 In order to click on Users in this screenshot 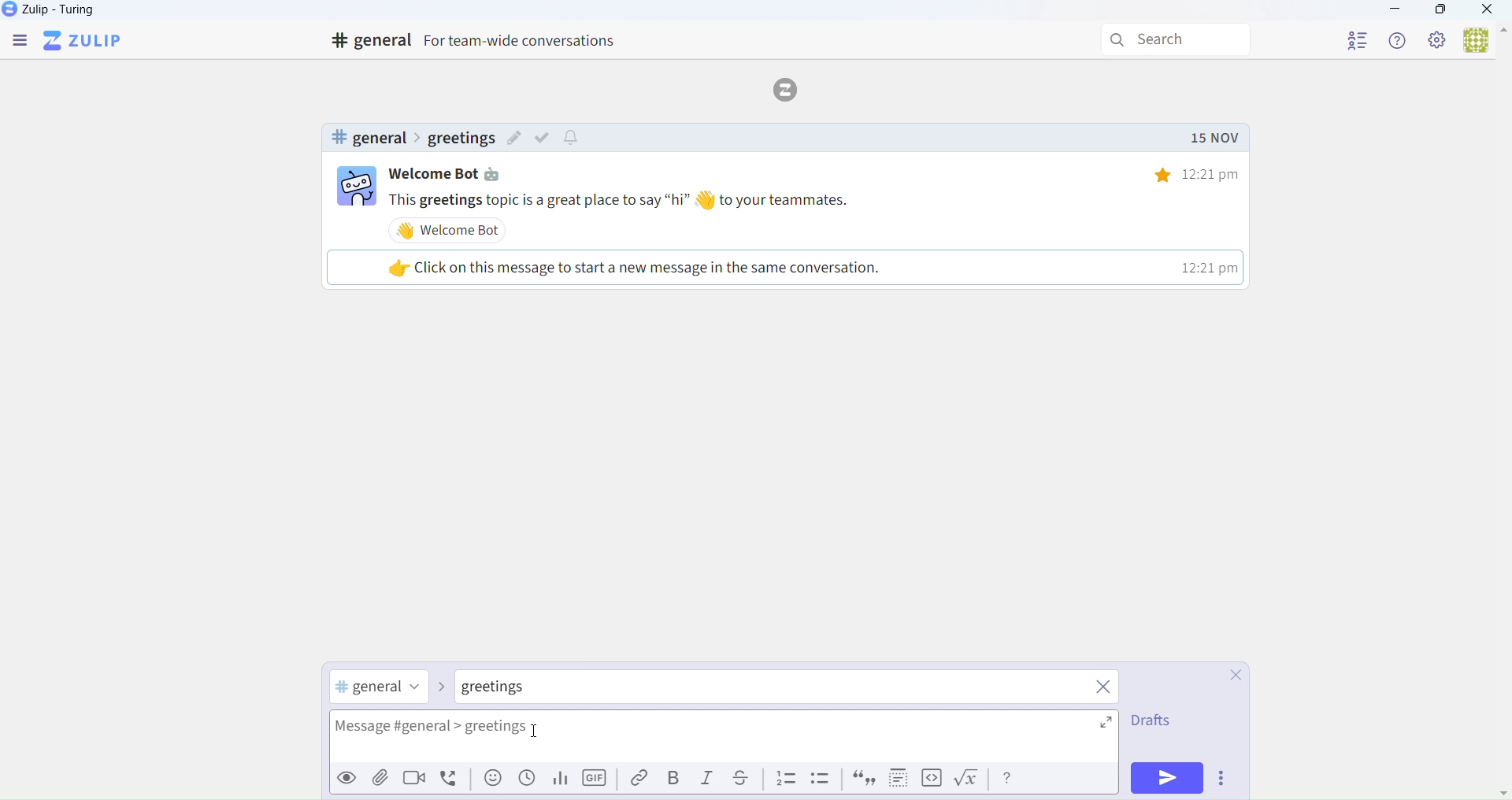, I will do `click(1484, 42)`.